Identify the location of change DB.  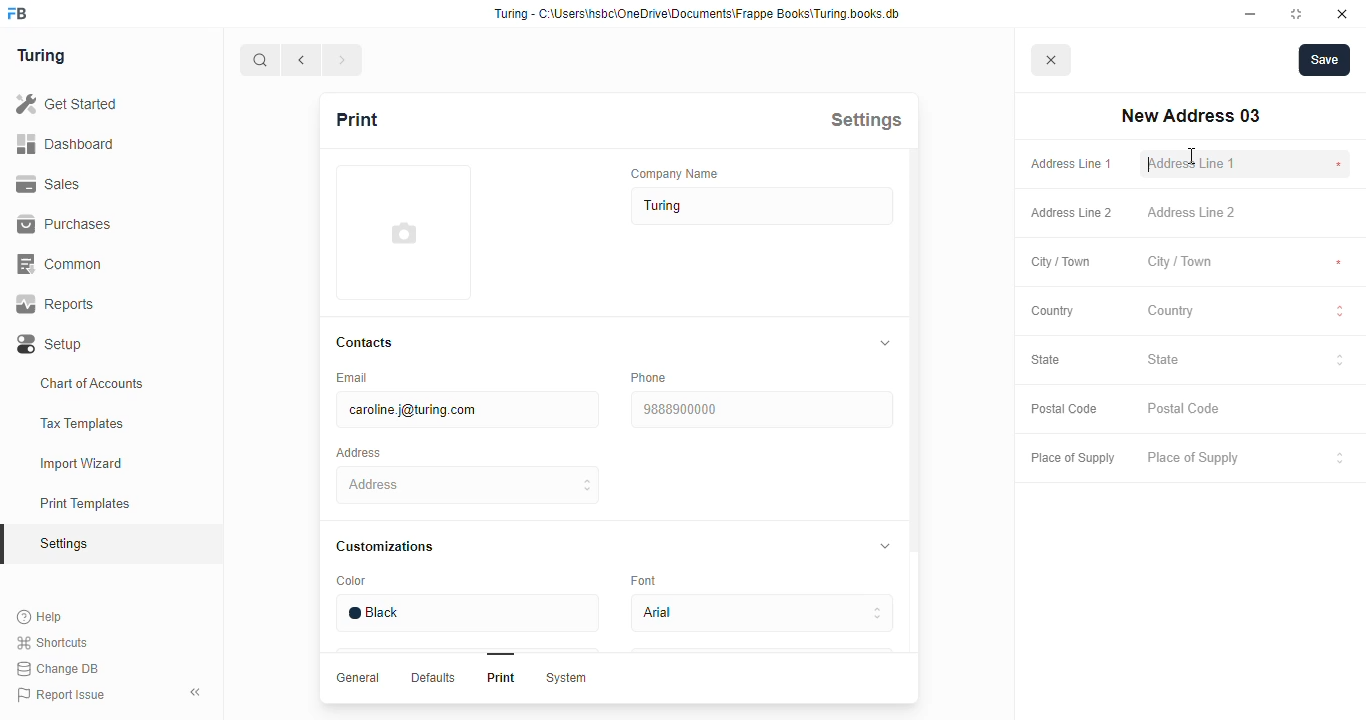
(57, 669).